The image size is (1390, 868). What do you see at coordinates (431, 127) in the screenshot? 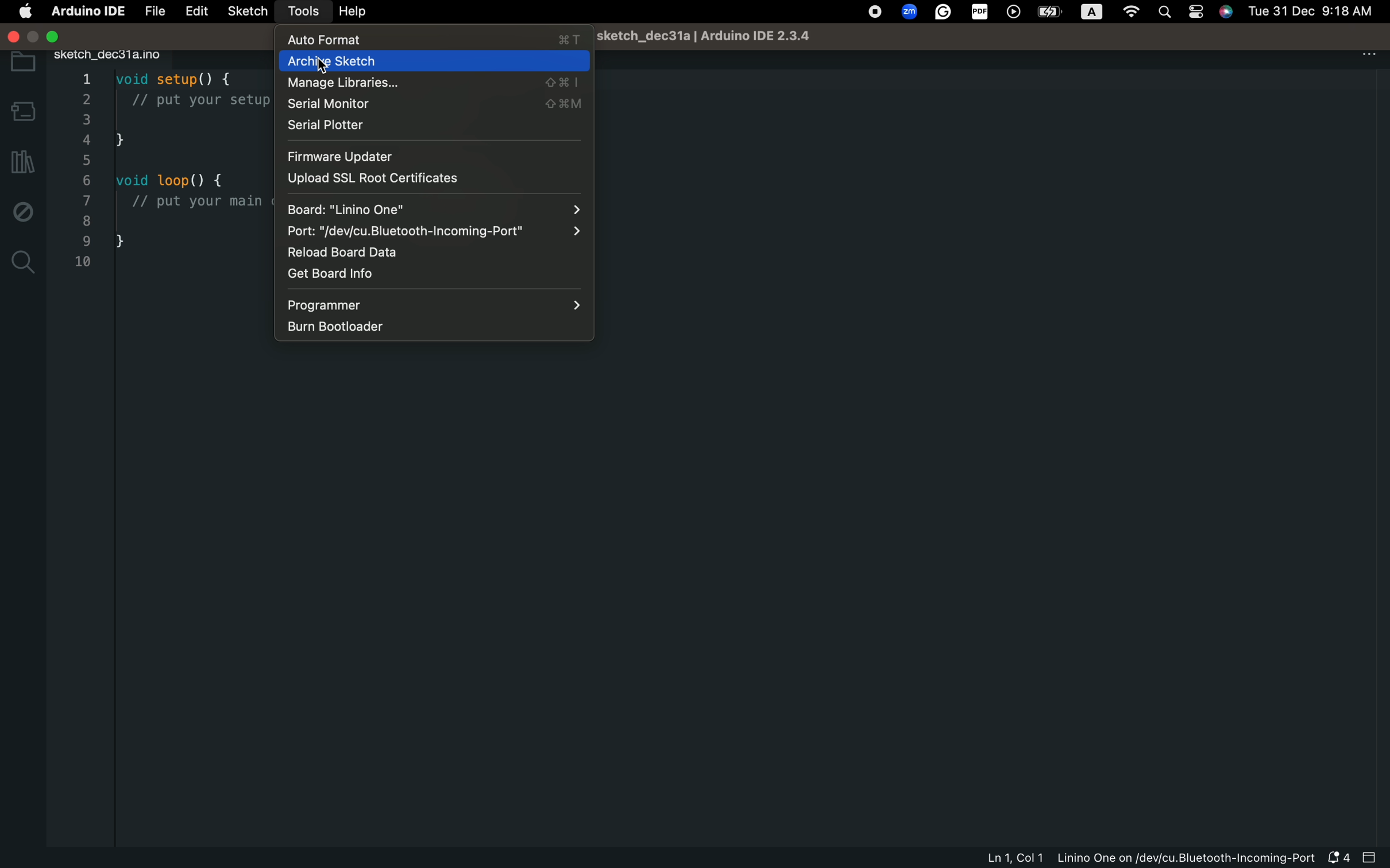
I see `serial plotter` at bounding box center [431, 127].